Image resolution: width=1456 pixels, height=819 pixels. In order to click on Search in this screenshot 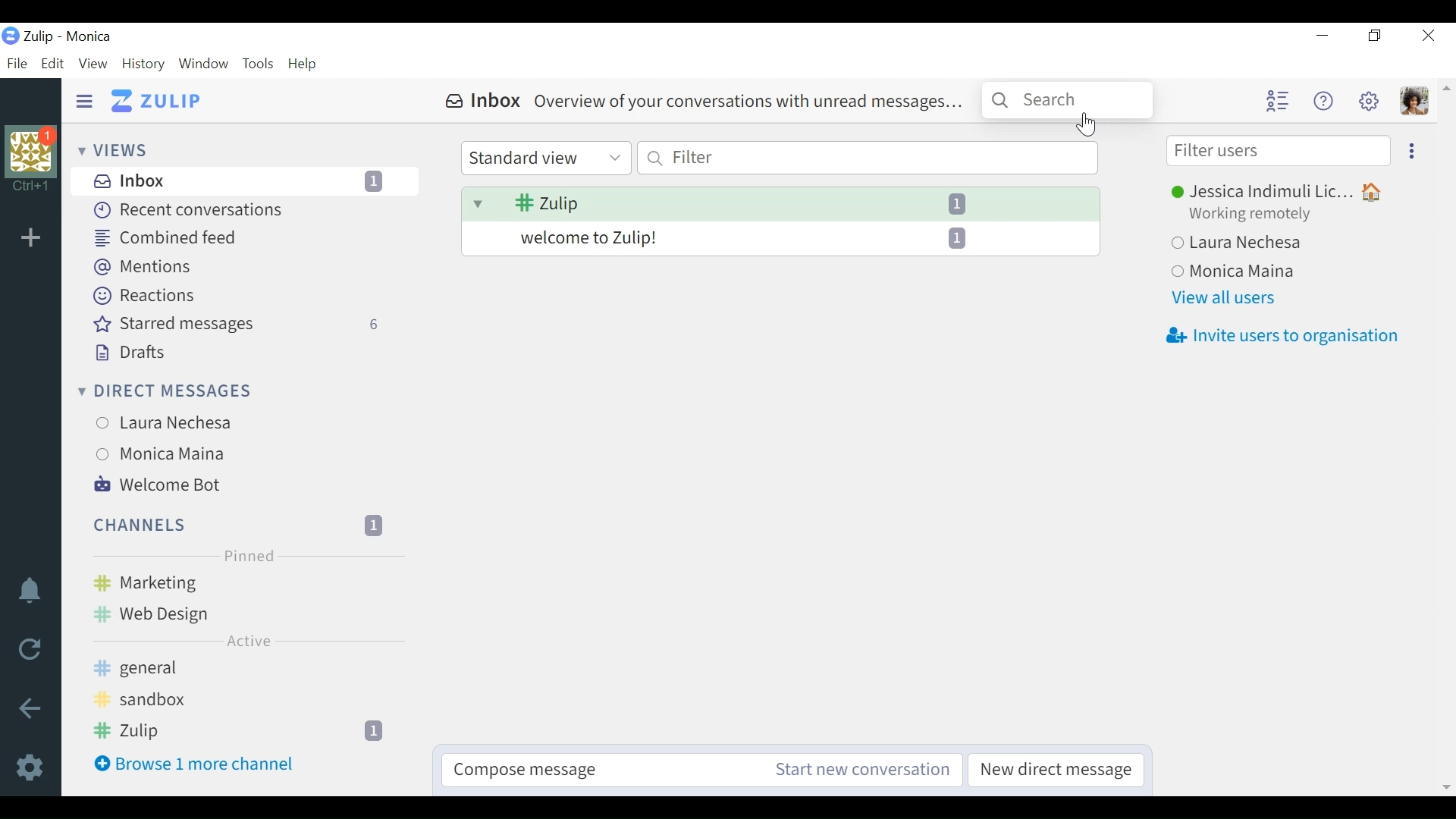, I will do `click(1064, 99)`.